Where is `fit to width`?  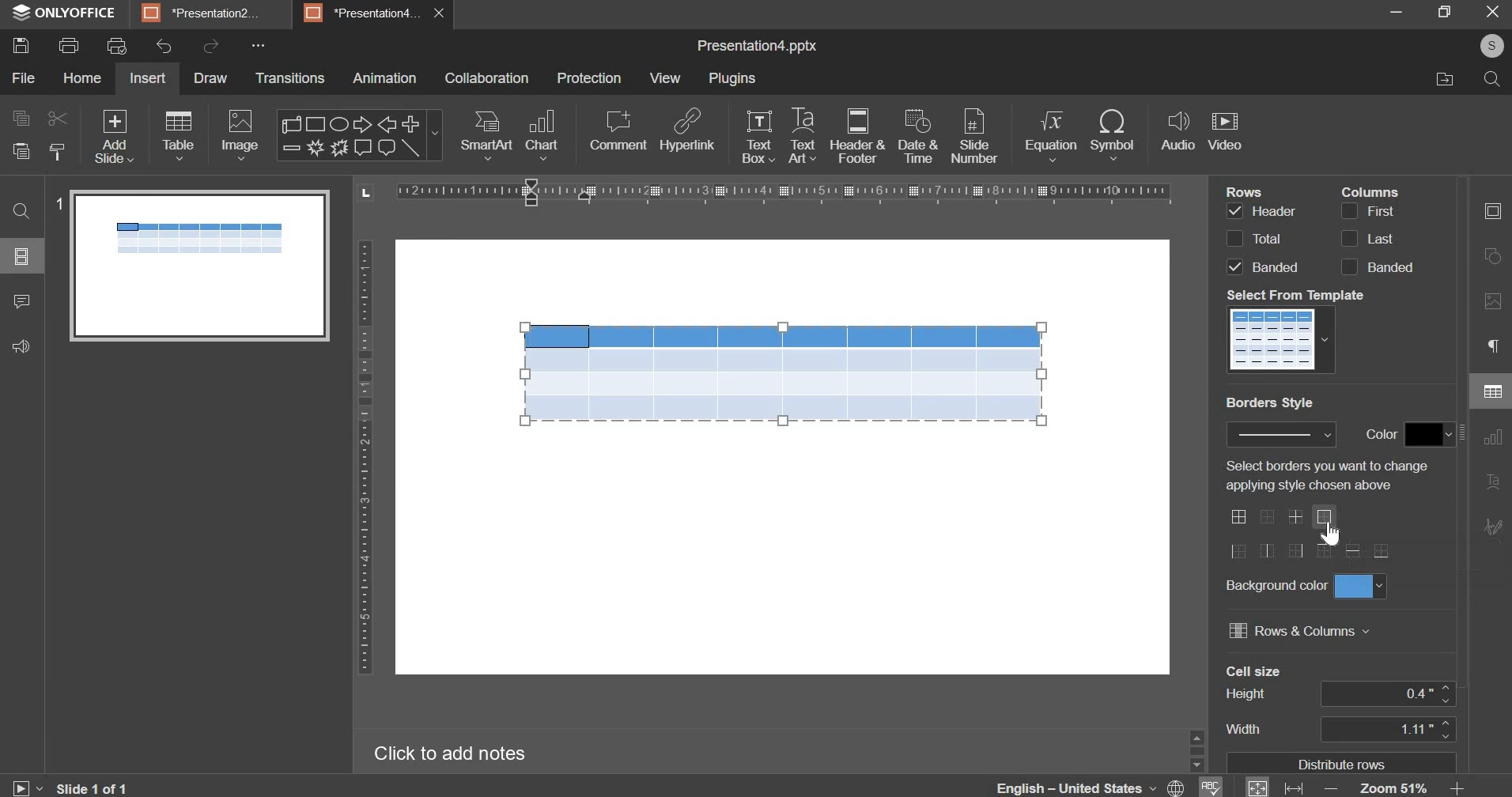 fit to width is located at coordinates (1296, 788).